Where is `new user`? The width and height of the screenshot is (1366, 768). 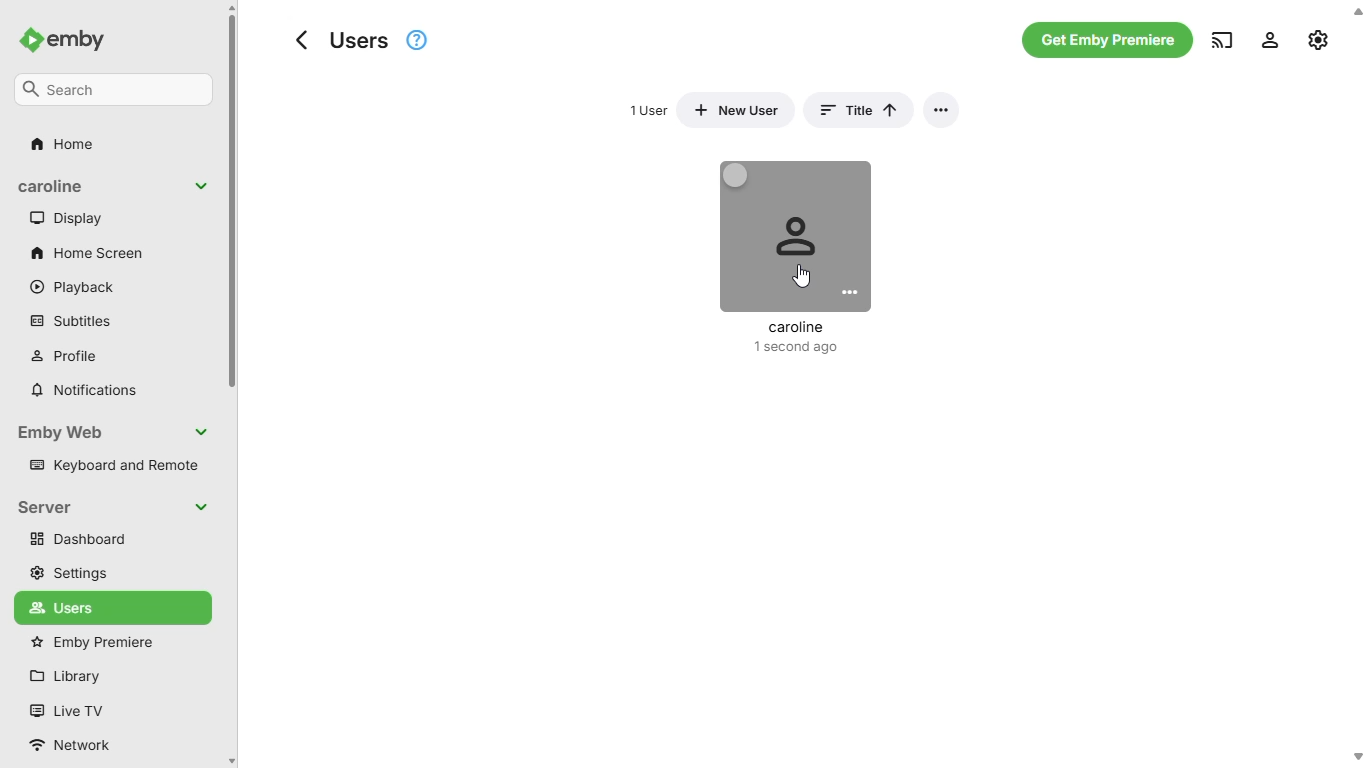
new user is located at coordinates (736, 111).